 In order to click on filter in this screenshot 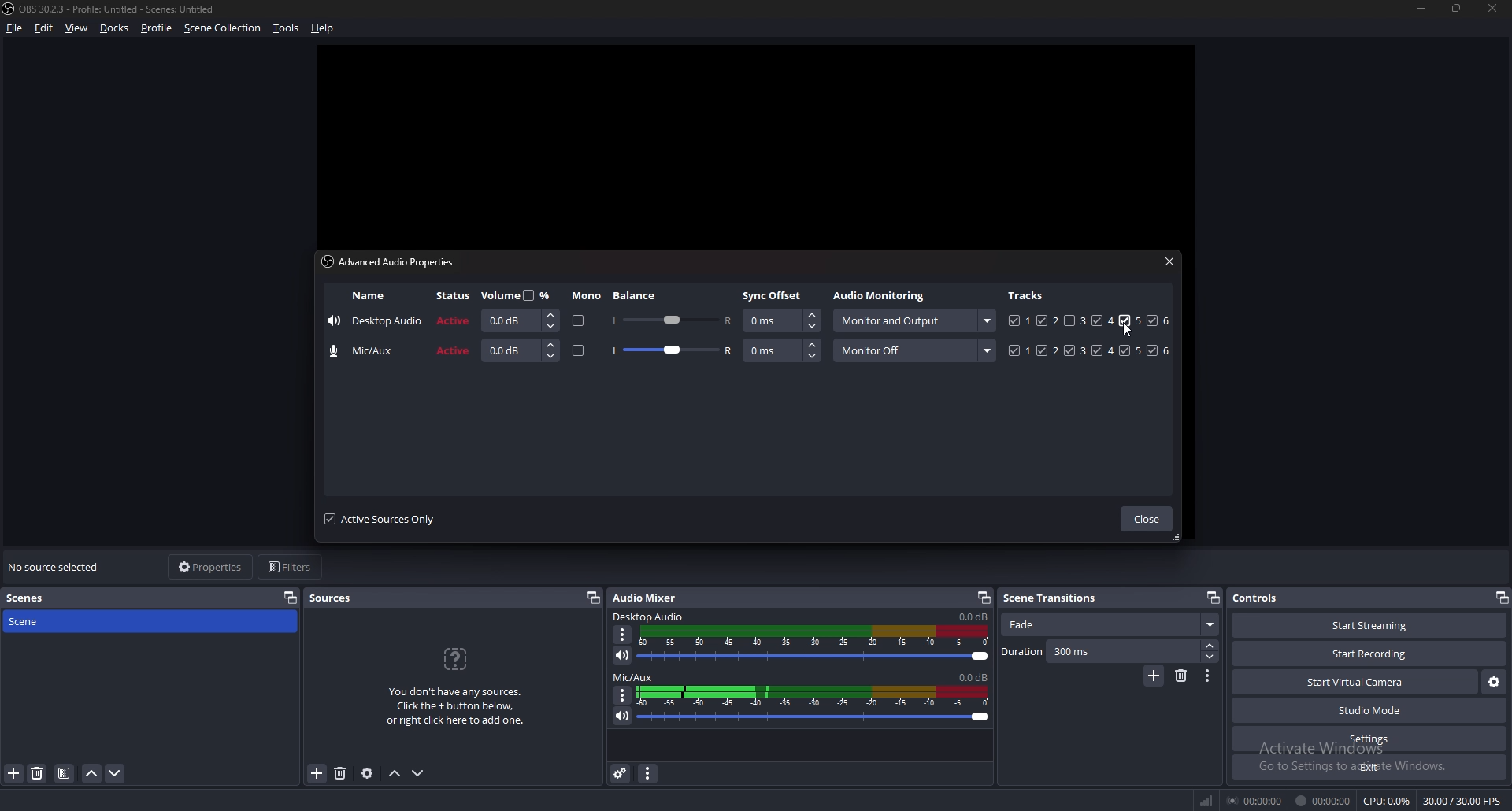, I will do `click(64, 774)`.